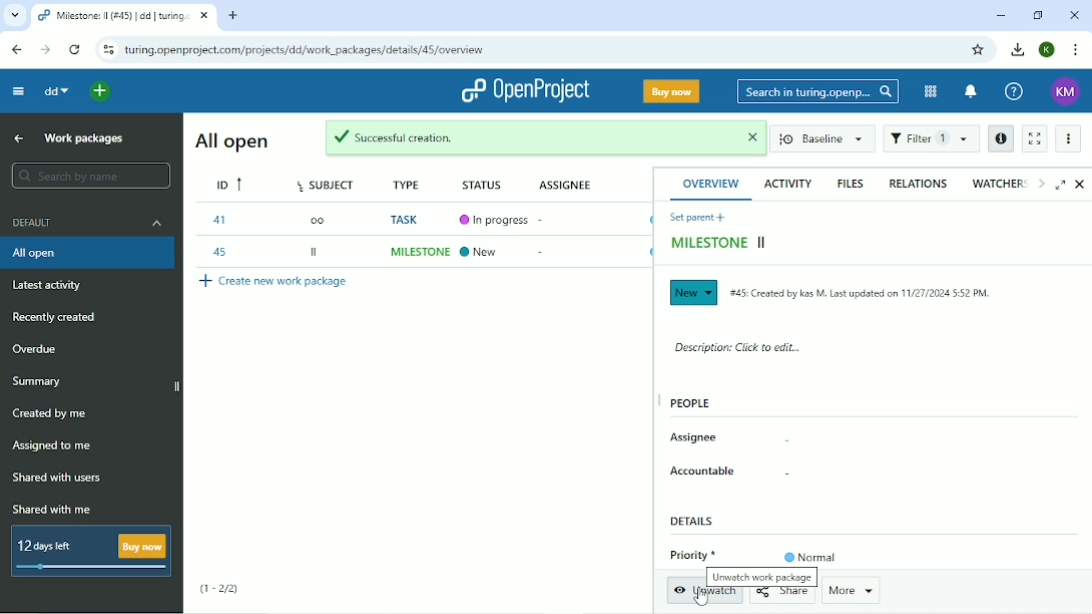 The width and height of the screenshot is (1092, 614). What do you see at coordinates (56, 317) in the screenshot?
I see `Recently created` at bounding box center [56, 317].